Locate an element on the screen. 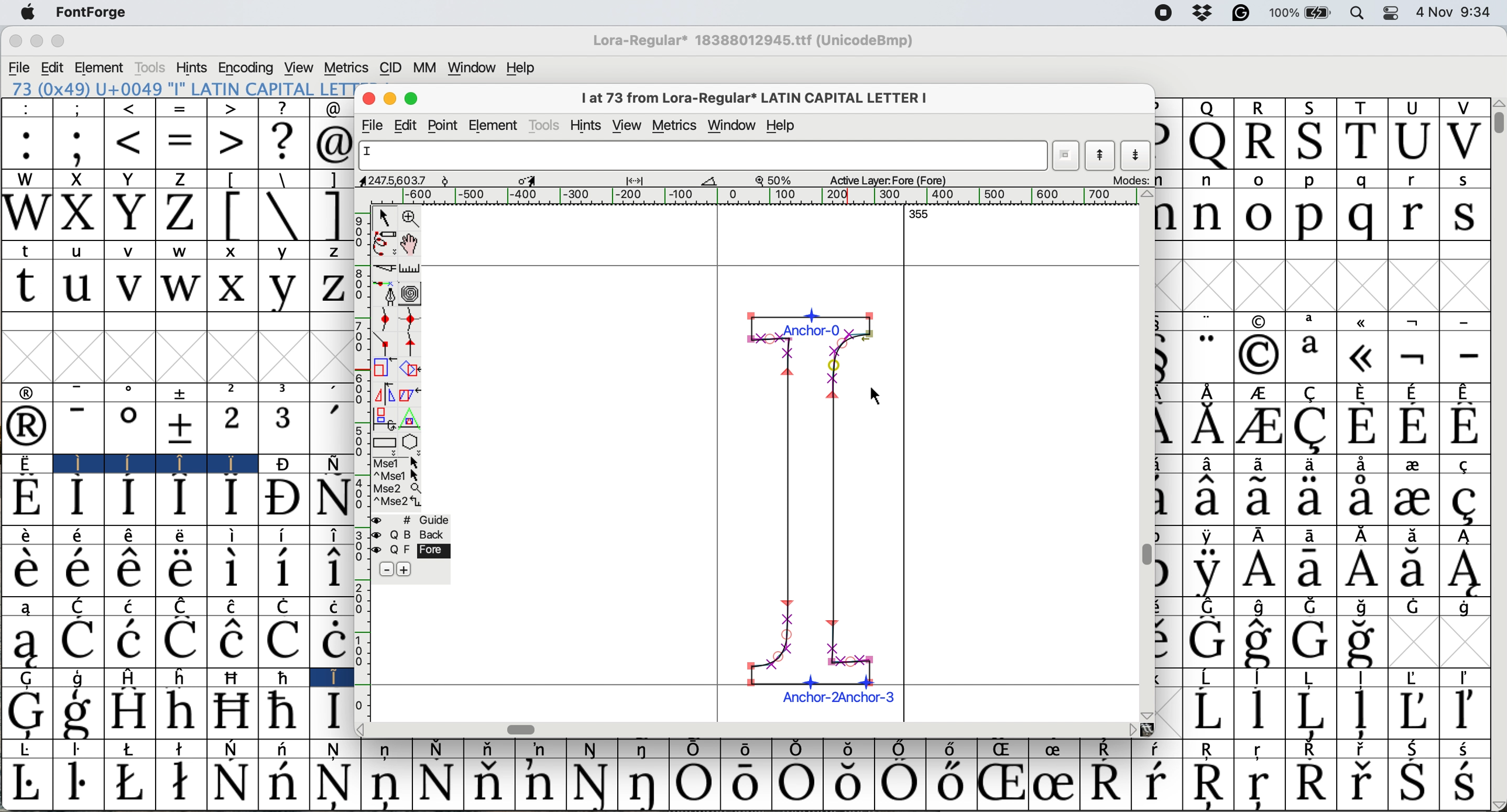 This screenshot has width=1507, height=812. add a curve point horizontally or vertically is located at coordinates (410, 319).